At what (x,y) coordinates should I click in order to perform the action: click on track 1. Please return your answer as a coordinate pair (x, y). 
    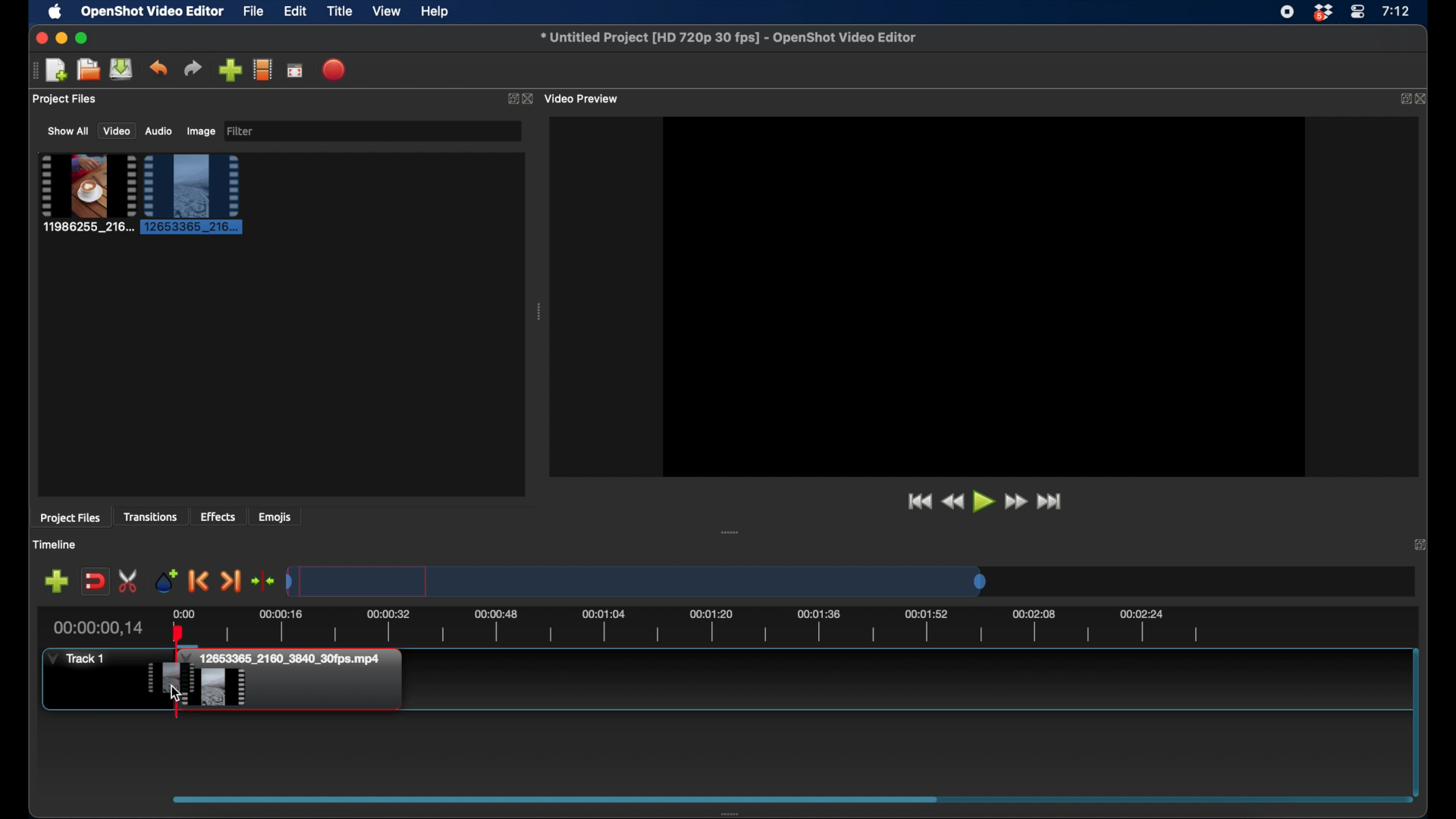
    Looking at the image, I should click on (77, 659).